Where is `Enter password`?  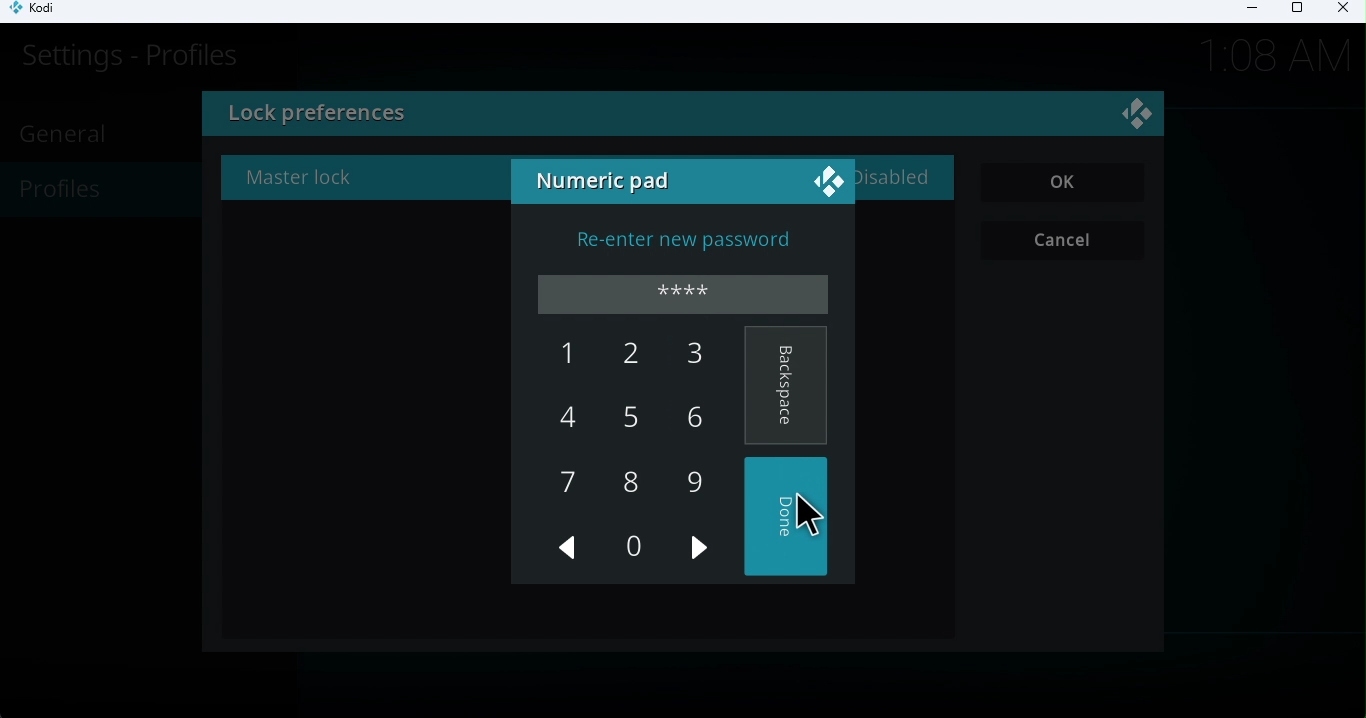 Enter password is located at coordinates (682, 295).